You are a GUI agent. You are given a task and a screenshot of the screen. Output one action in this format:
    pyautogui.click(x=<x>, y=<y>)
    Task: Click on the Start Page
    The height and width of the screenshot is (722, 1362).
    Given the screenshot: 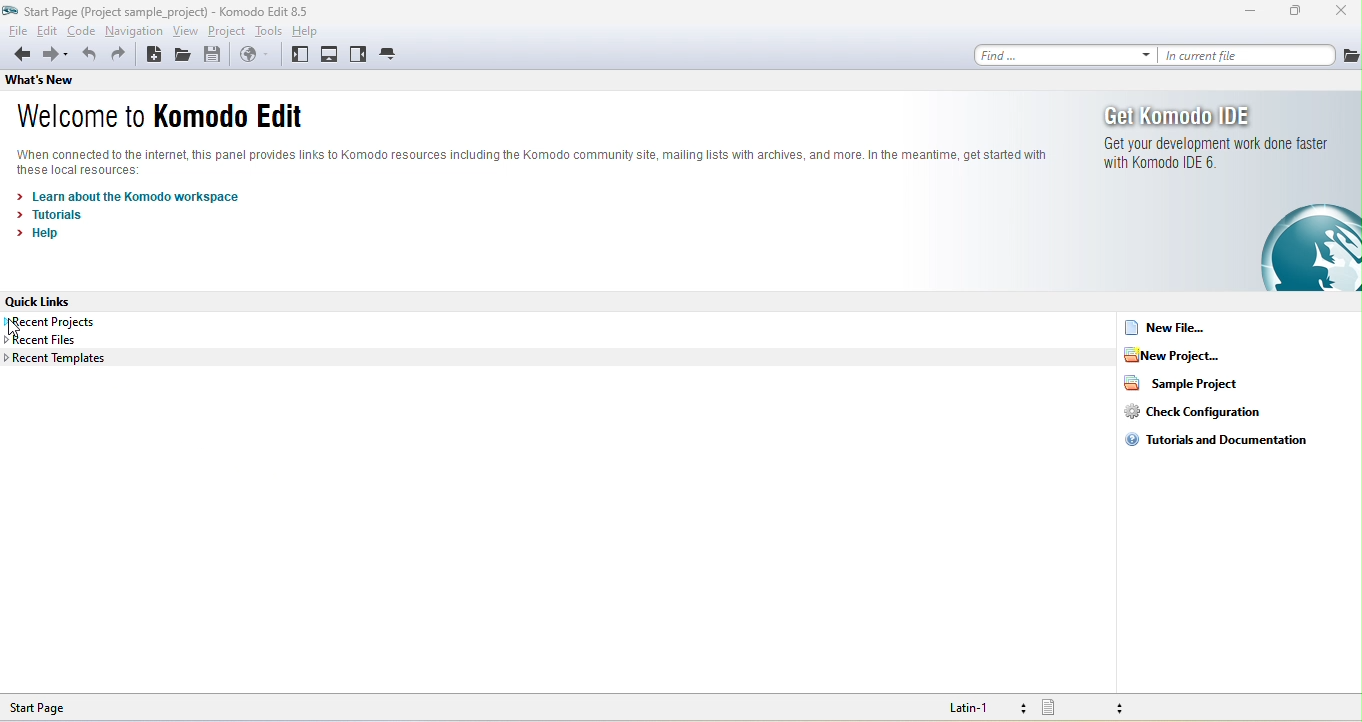 What is the action you would take?
    pyautogui.click(x=56, y=706)
    